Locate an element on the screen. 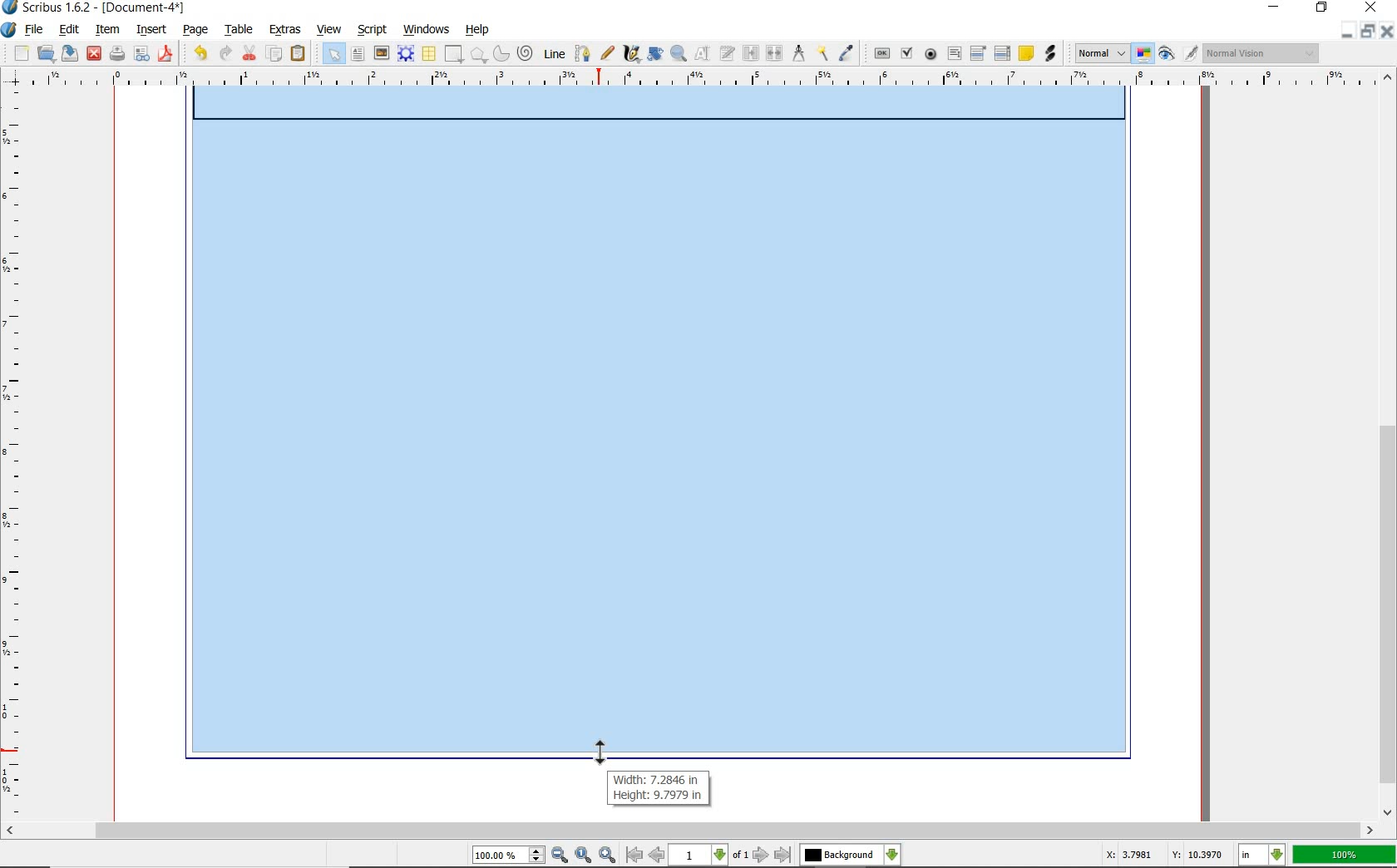 This screenshot has width=1397, height=868. restore is located at coordinates (1321, 9).